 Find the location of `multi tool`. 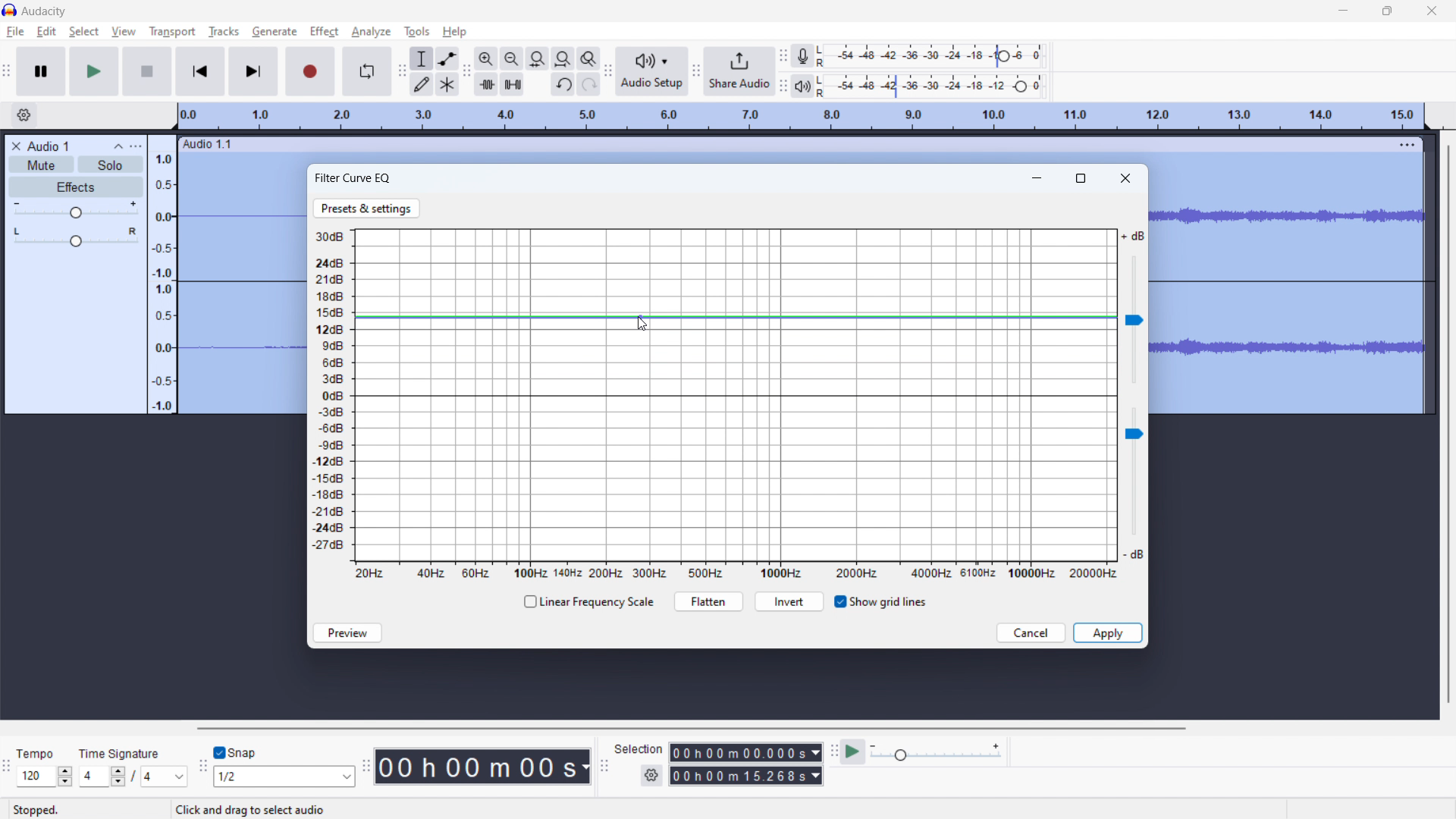

multi tool is located at coordinates (447, 83).